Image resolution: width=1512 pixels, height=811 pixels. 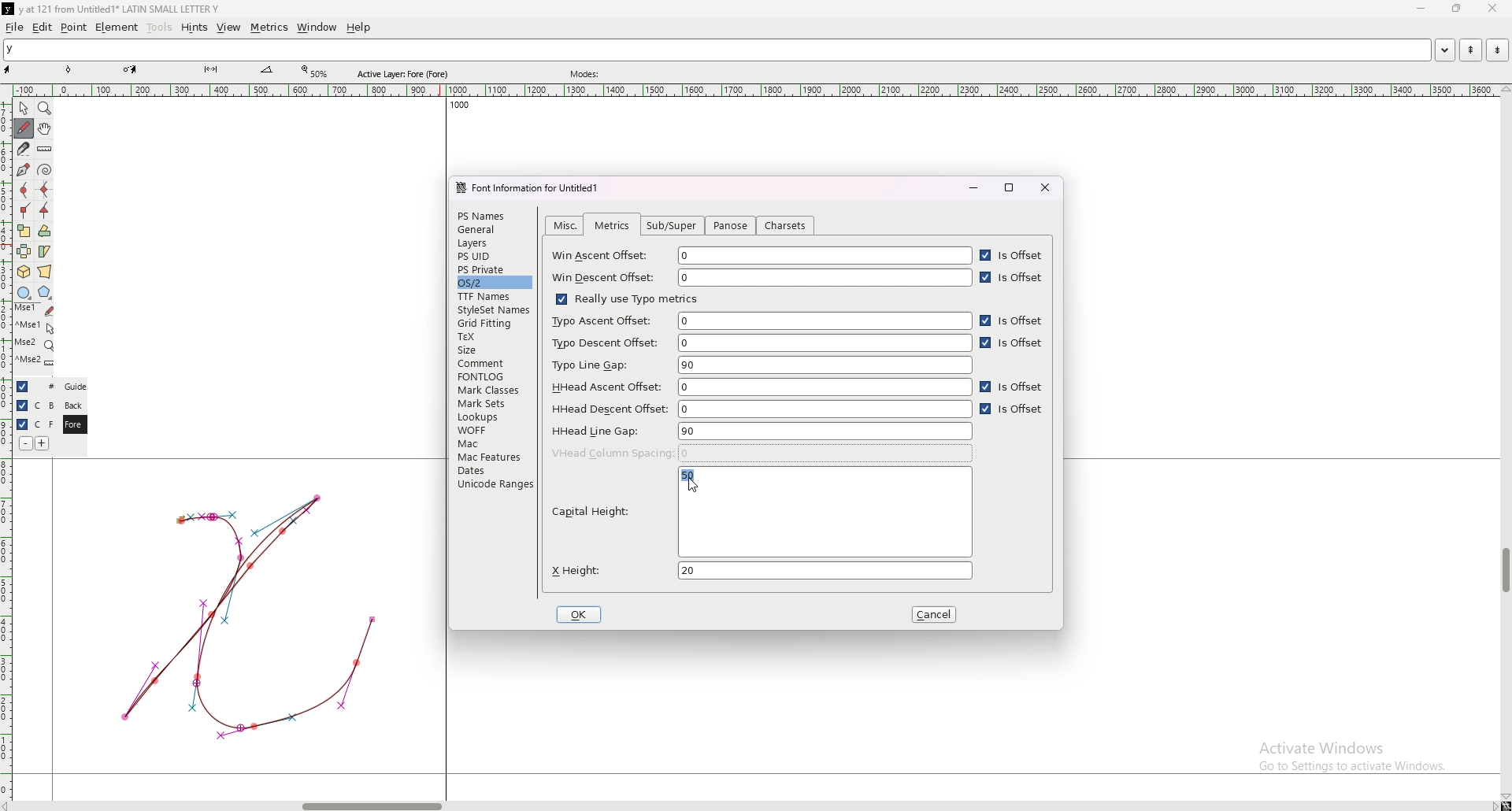 What do you see at coordinates (1493, 805) in the screenshot?
I see `scroll right` at bounding box center [1493, 805].